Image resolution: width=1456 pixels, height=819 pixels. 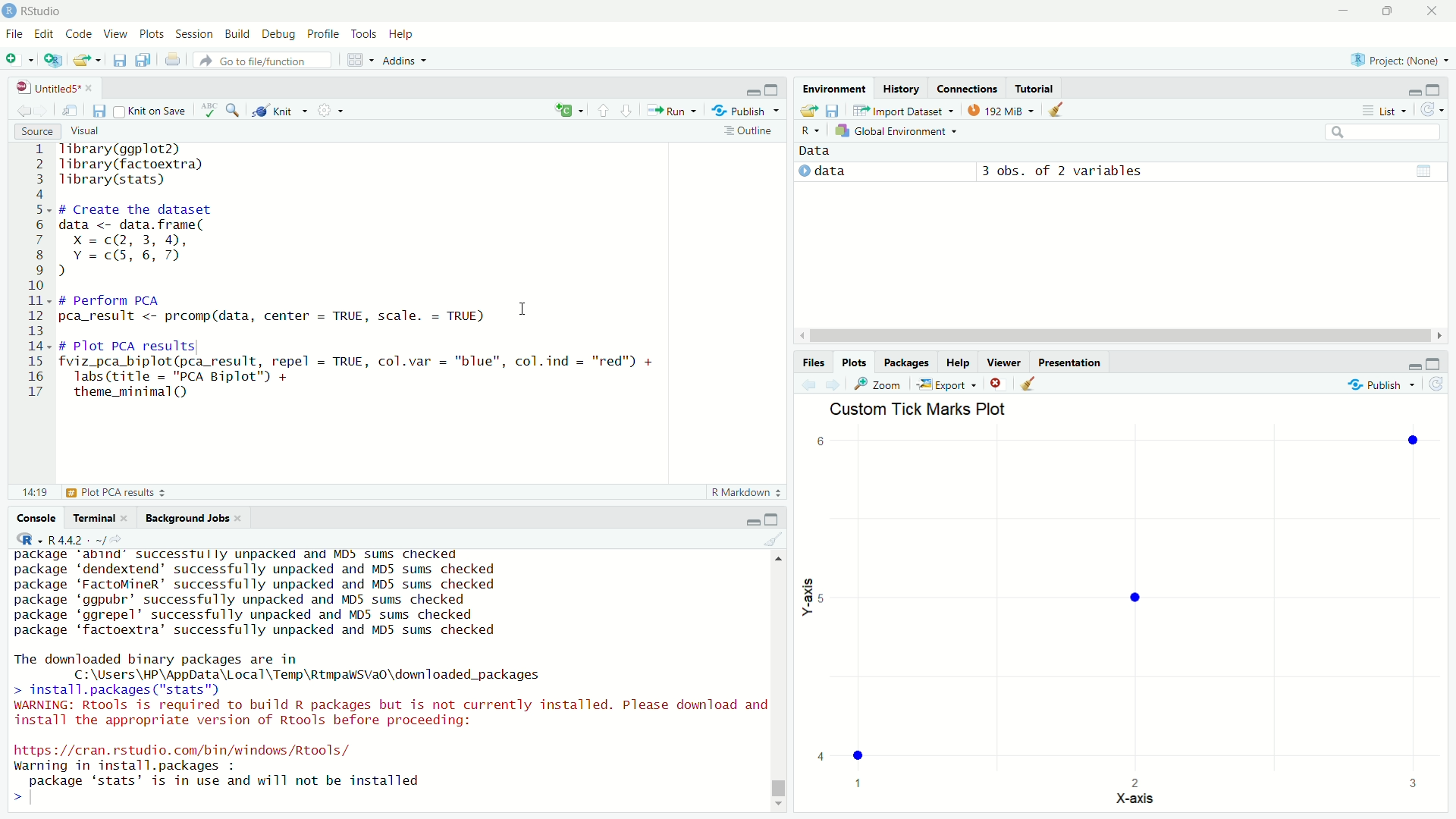 I want to click on selected project: None, so click(x=1395, y=59).